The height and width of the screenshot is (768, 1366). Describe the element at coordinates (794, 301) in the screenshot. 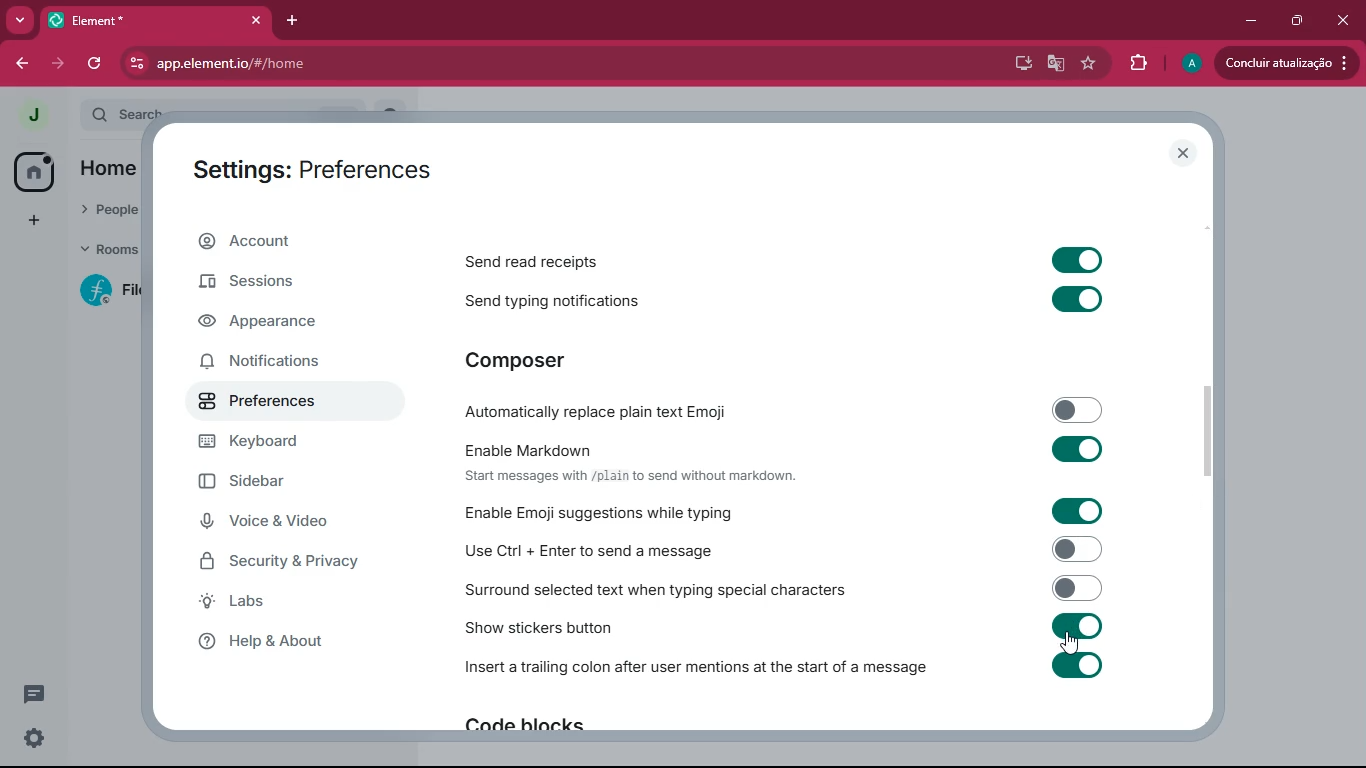

I see `Send typing notifications` at that location.